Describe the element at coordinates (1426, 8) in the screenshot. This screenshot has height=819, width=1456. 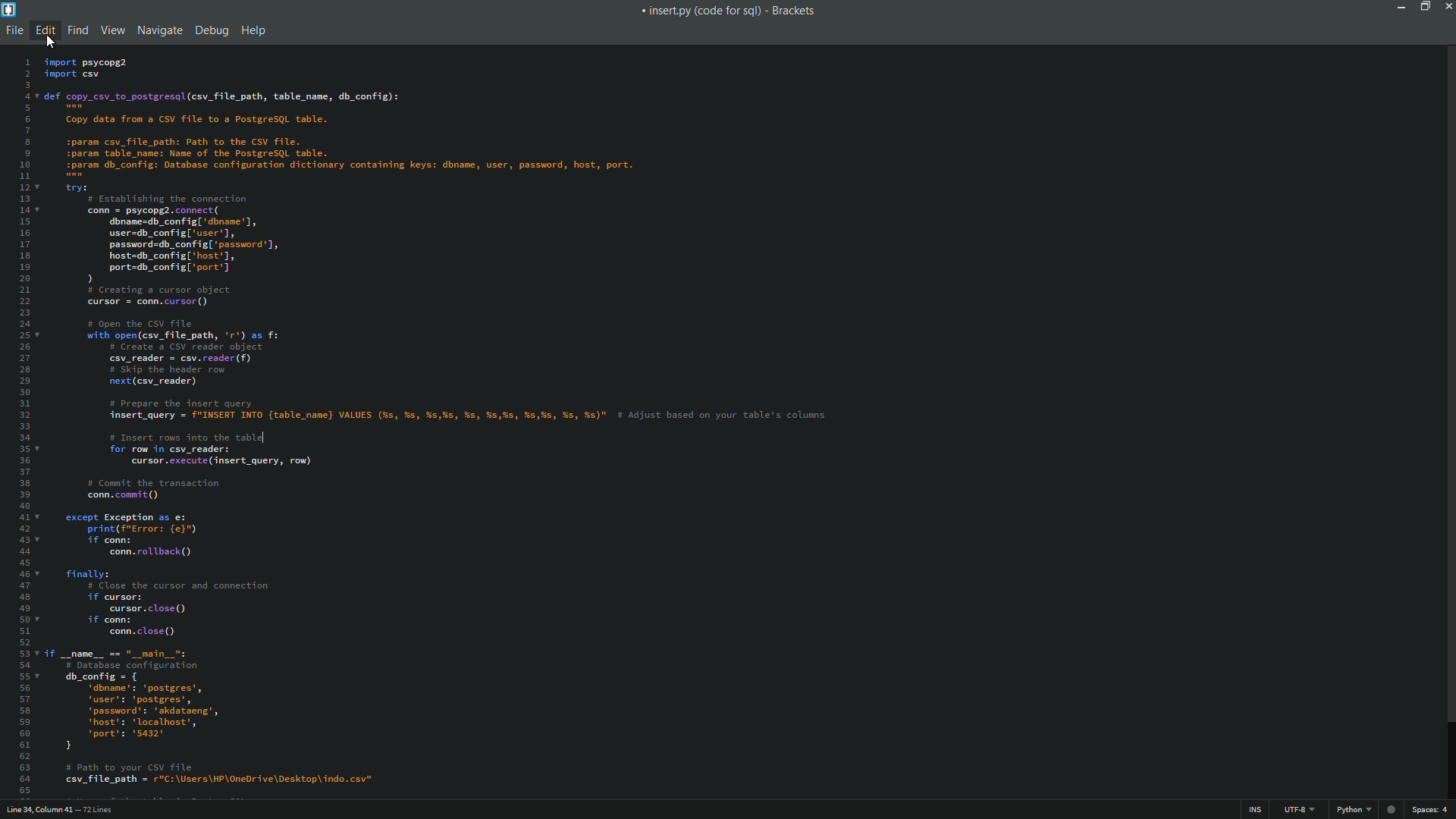
I see `maximize` at that location.